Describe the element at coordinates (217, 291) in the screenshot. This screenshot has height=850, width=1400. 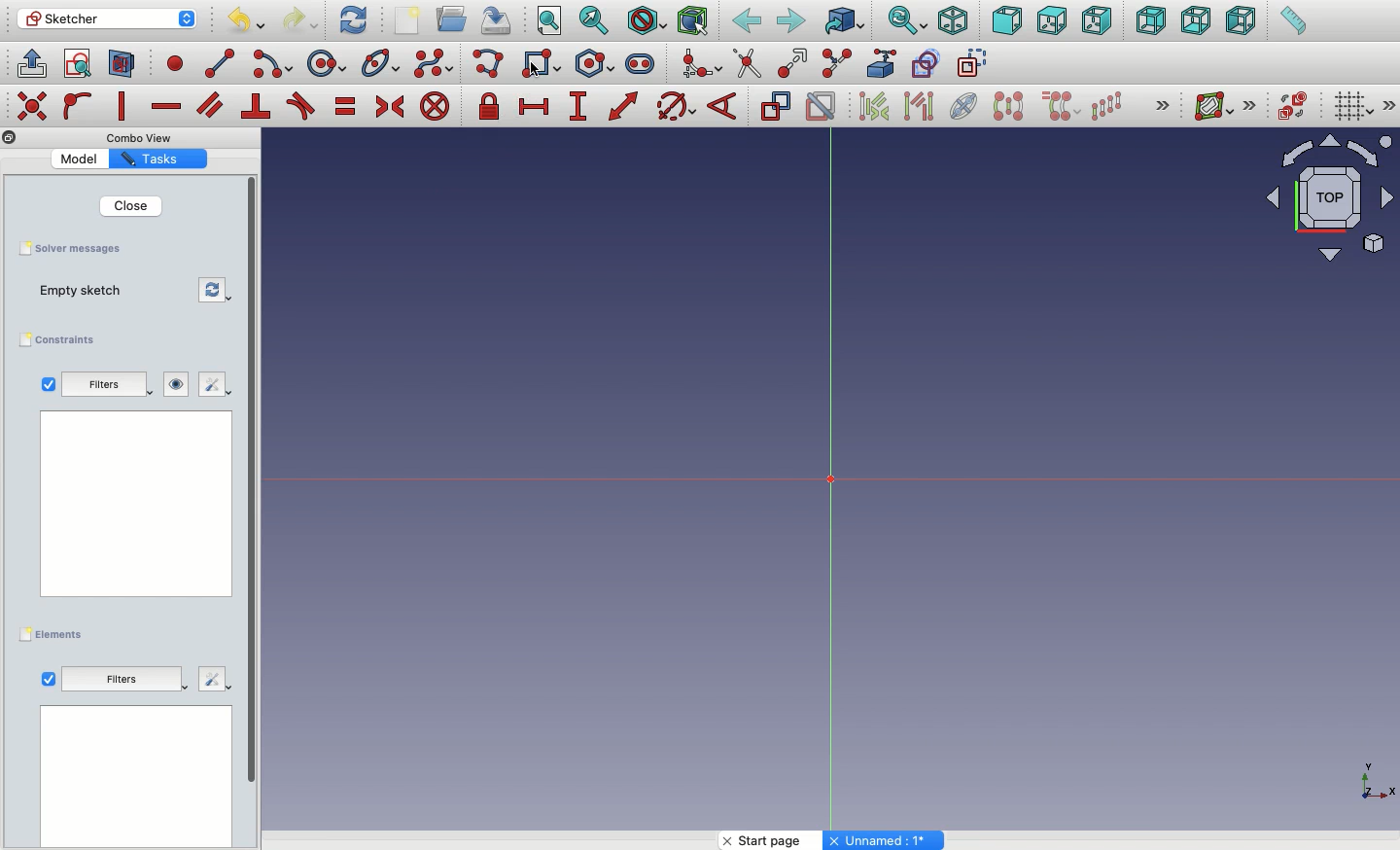
I see `refresh` at that location.